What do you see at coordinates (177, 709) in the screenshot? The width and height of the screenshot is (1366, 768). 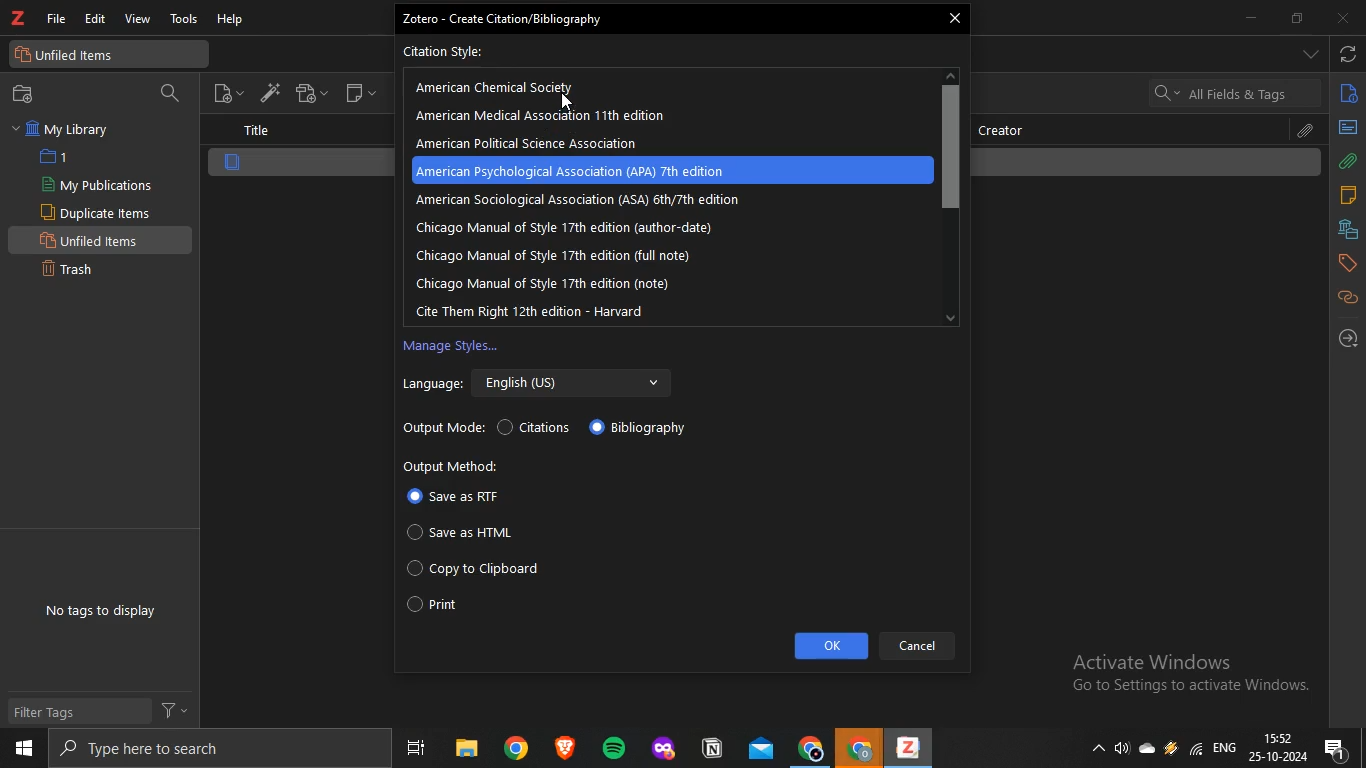 I see `filter` at bounding box center [177, 709].